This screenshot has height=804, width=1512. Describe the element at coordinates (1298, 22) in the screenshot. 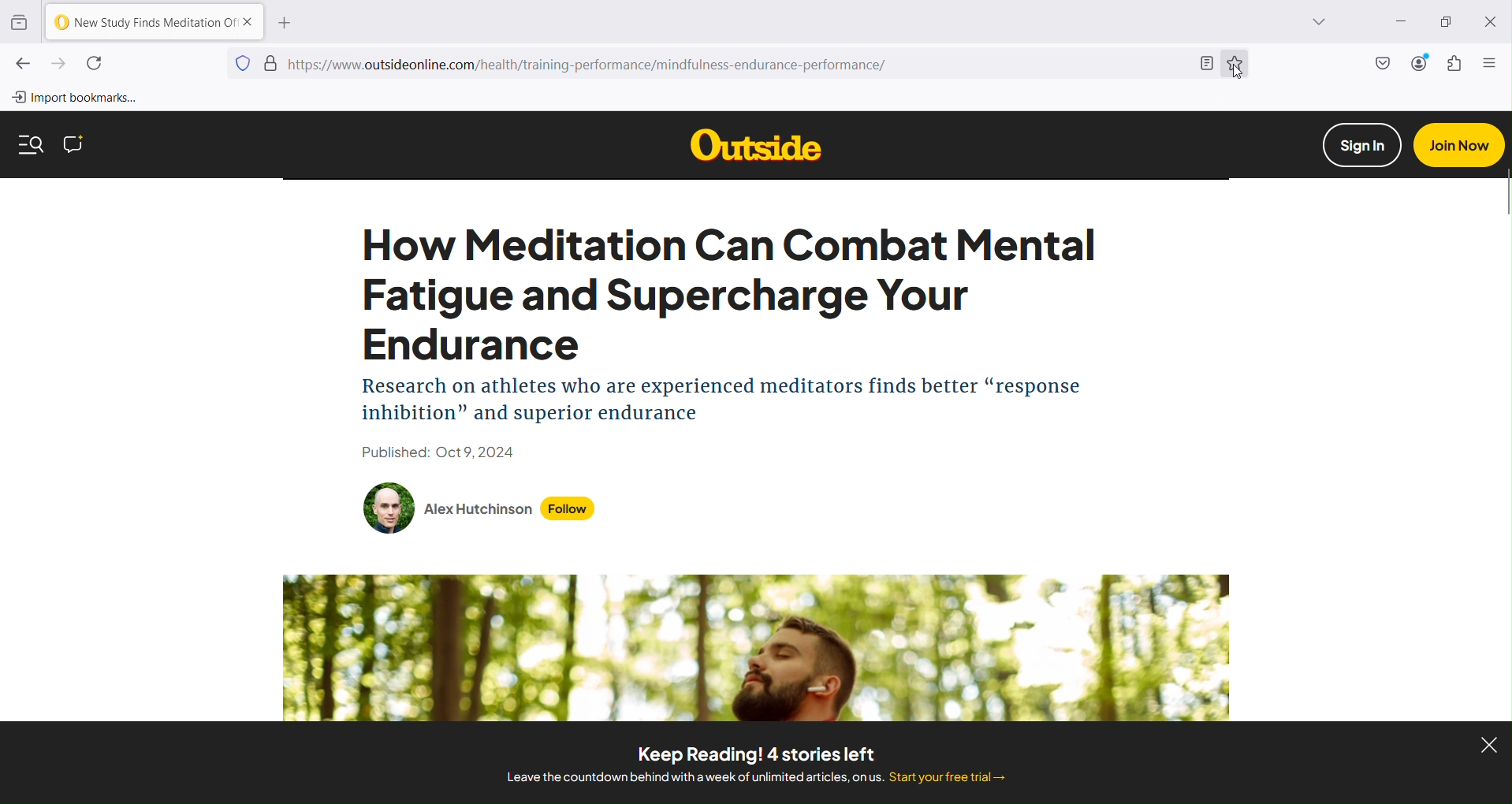

I see `List all tabs ` at that location.